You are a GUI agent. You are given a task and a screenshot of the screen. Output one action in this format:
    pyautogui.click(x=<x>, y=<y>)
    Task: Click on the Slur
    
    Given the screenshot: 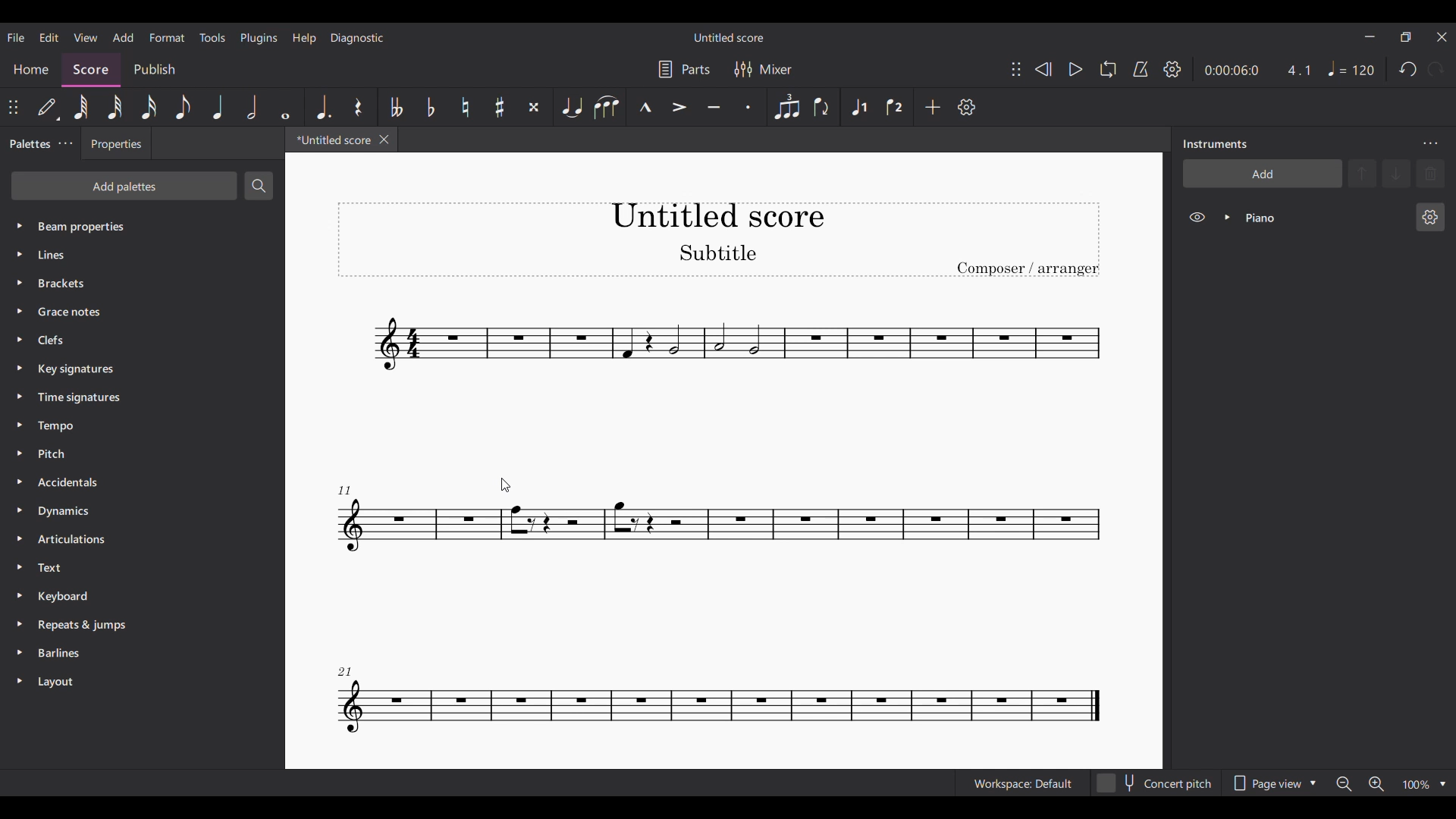 What is the action you would take?
    pyautogui.click(x=608, y=107)
    